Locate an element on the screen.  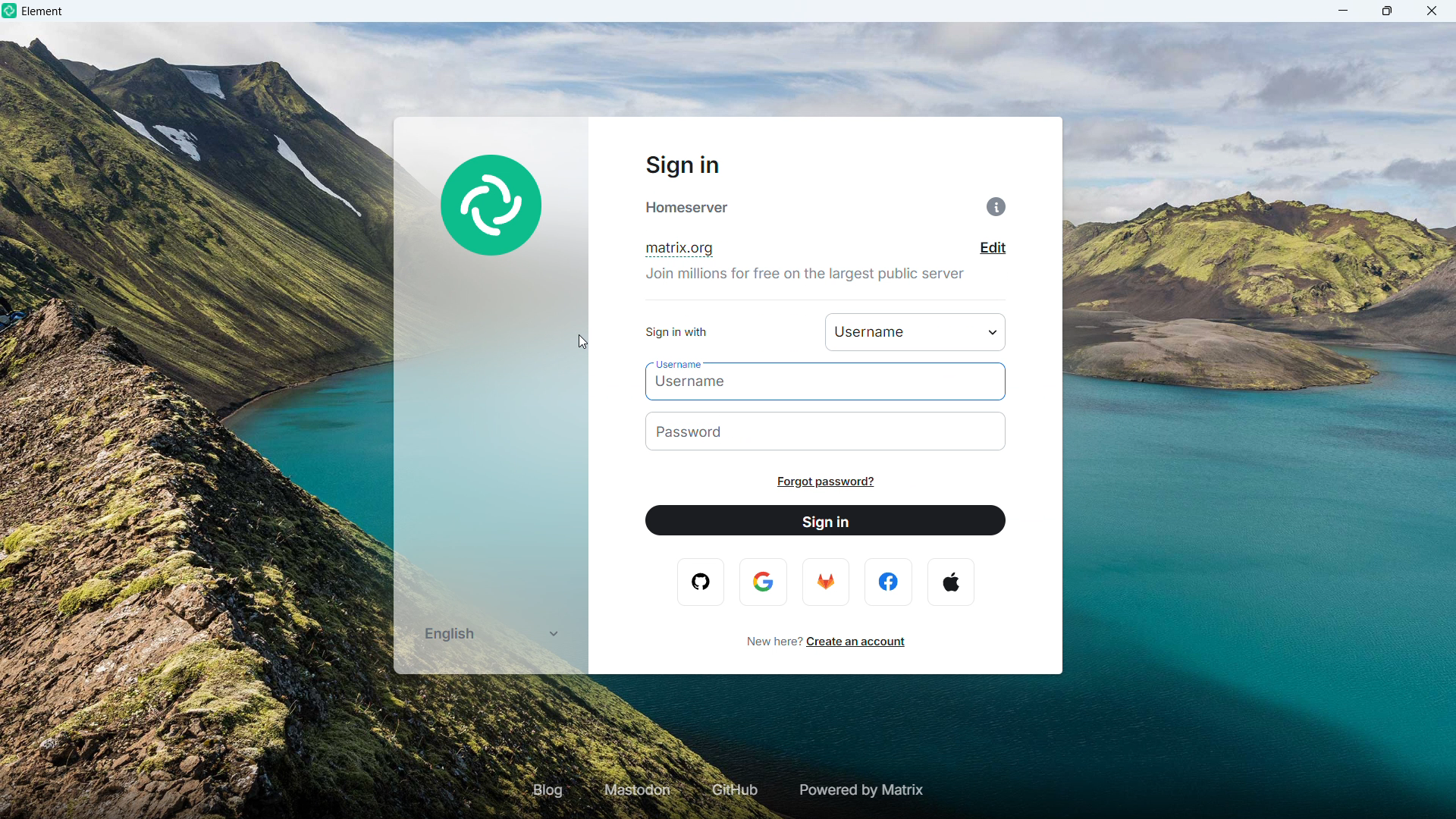
Sign in  is located at coordinates (826, 521).